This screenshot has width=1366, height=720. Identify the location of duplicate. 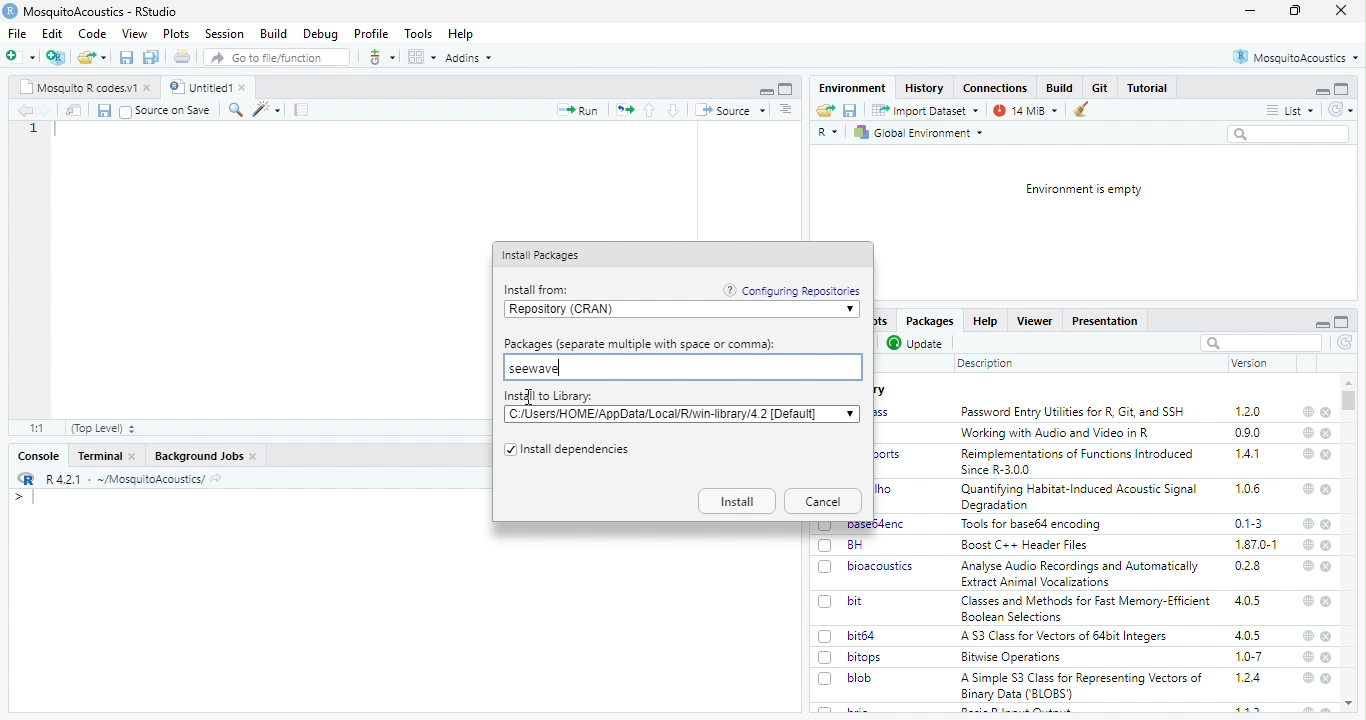
(152, 57).